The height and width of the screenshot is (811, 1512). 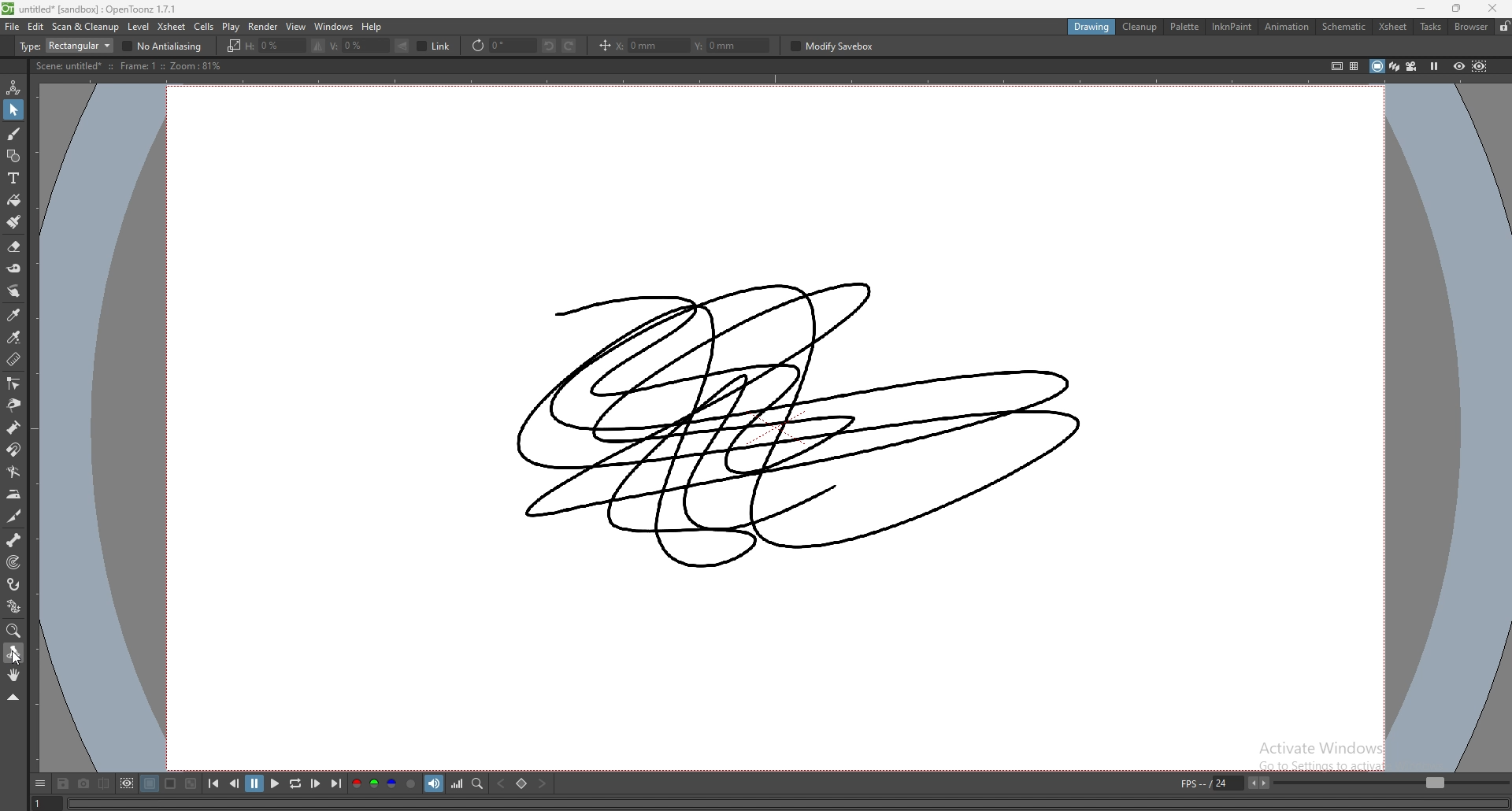 What do you see at coordinates (13, 583) in the screenshot?
I see `hook` at bounding box center [13, 583].